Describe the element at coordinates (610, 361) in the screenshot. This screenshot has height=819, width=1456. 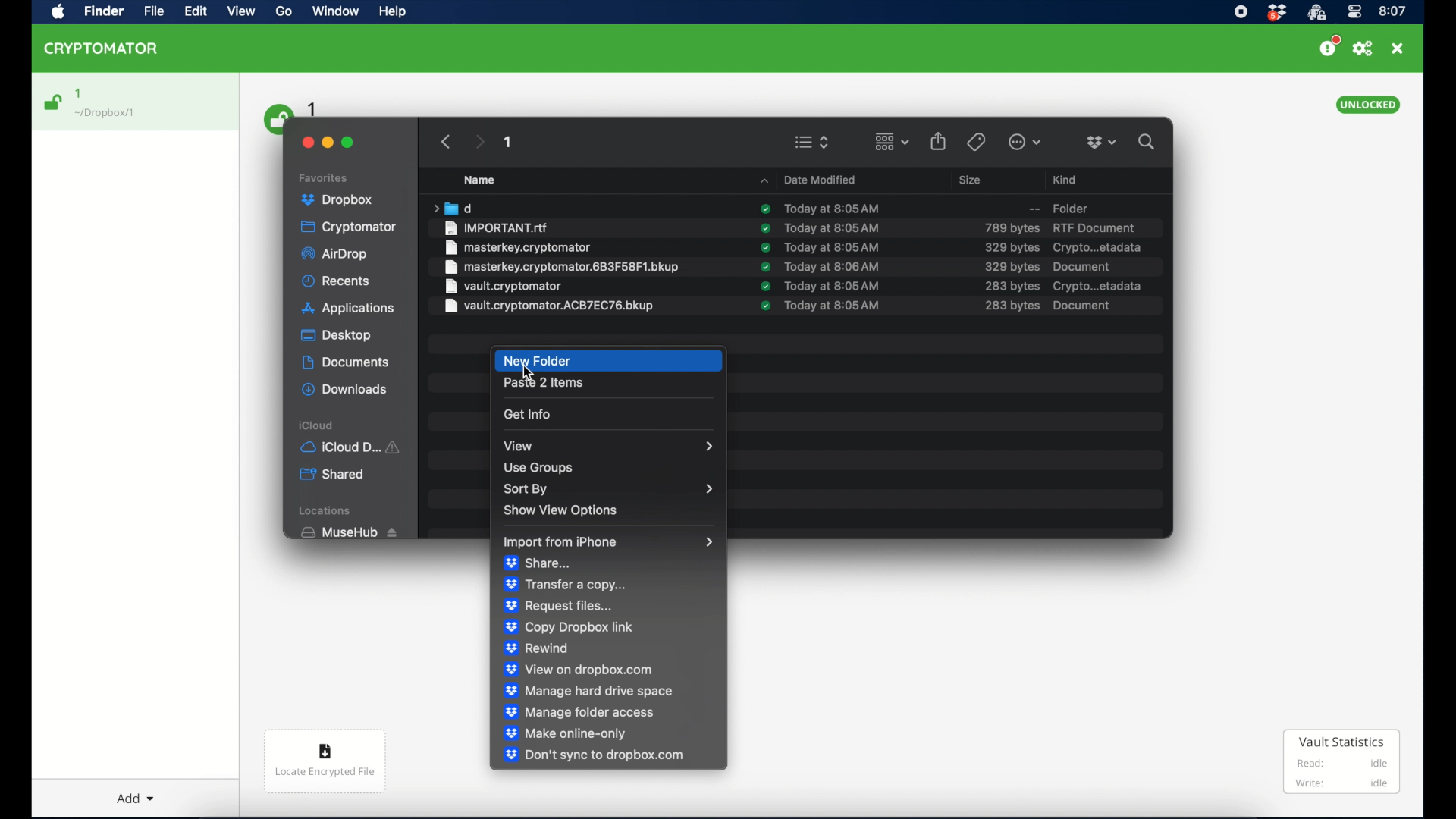
I see `new folder highlighted` at that location.